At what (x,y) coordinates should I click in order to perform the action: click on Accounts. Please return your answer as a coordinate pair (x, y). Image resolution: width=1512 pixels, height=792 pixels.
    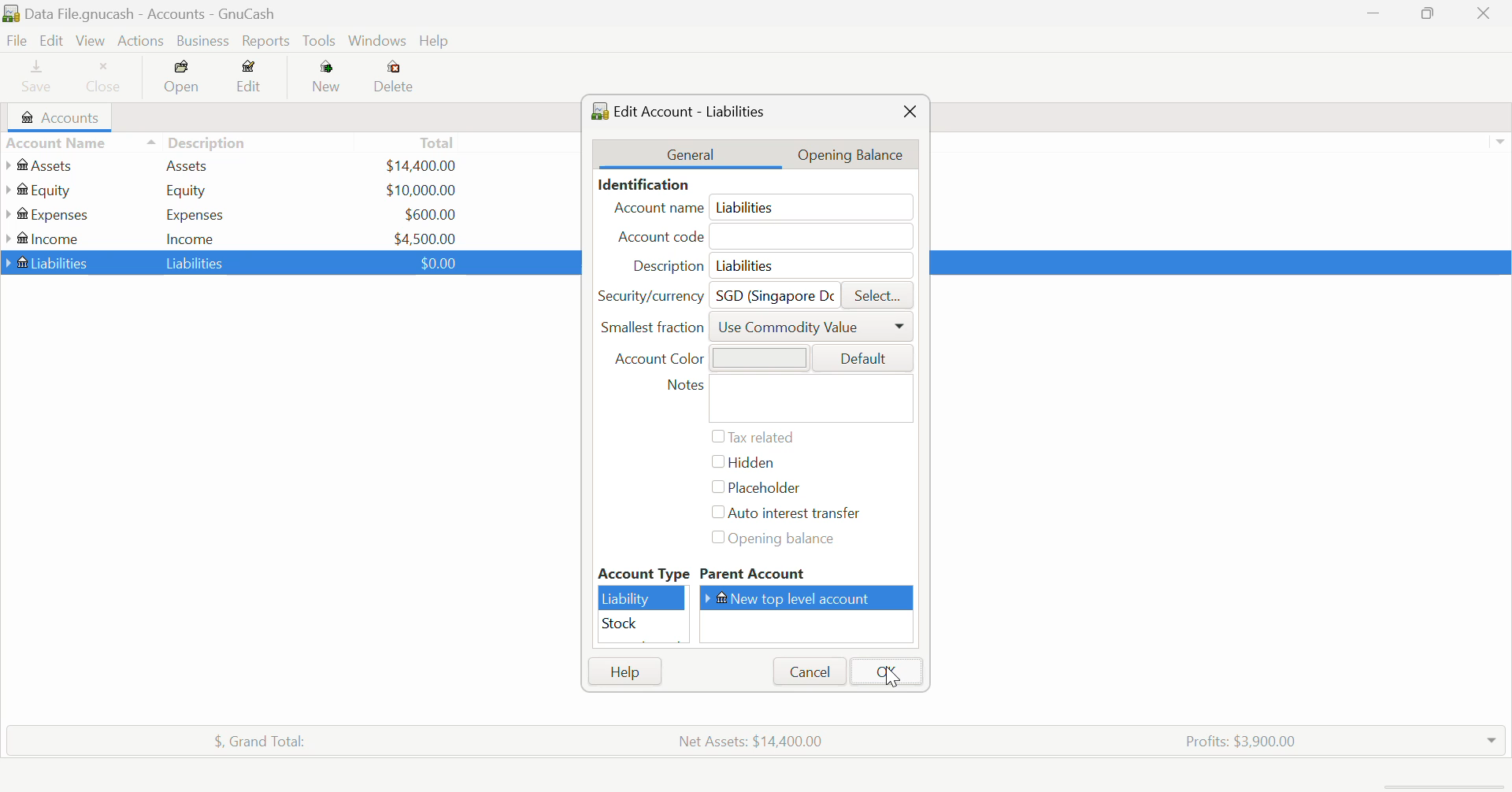
    Looking at the image, I should click on (65, 117).